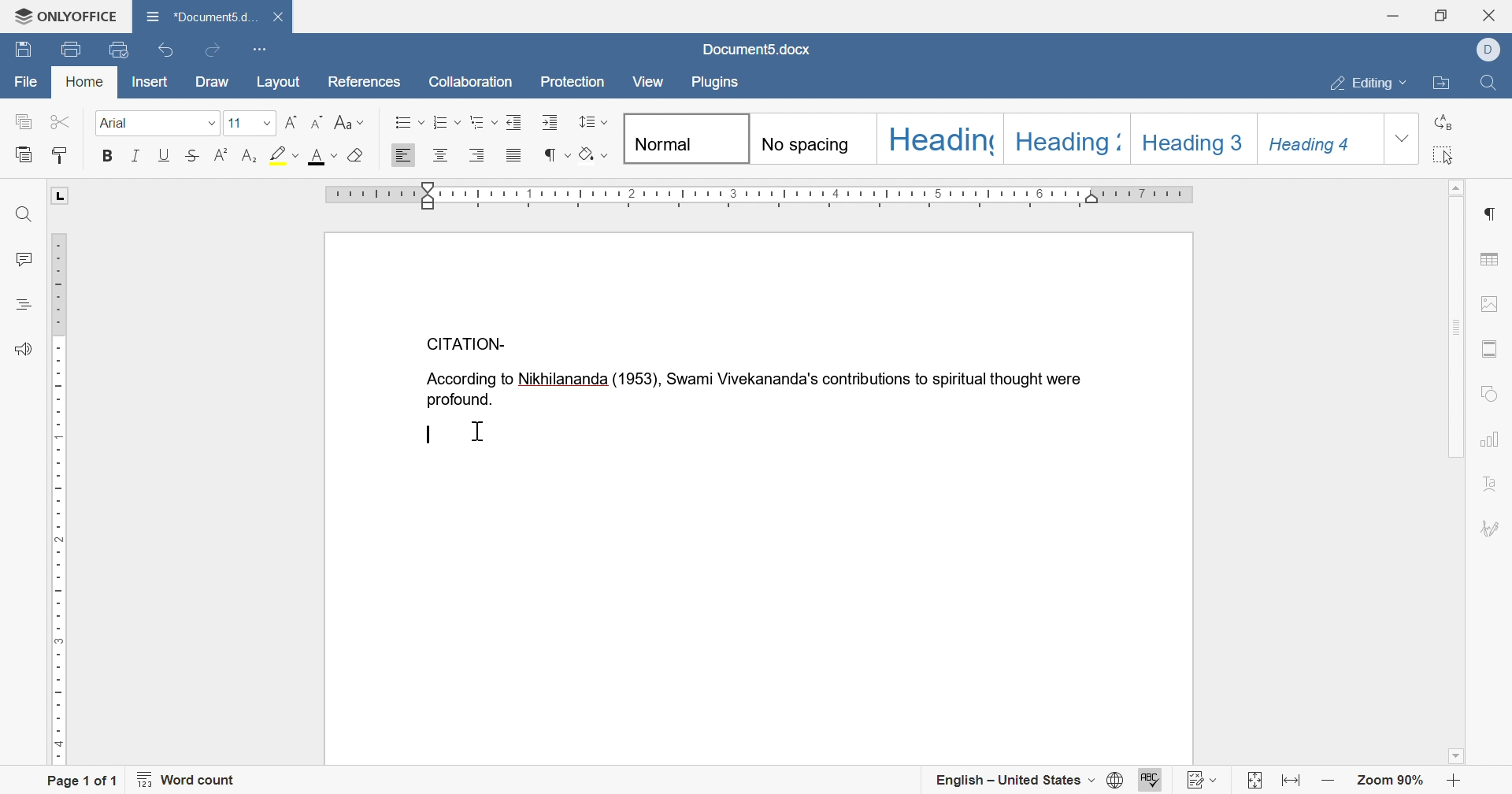  What do you see at coordinates (1489, 211) in the screenshot?
I see `paragraph settings` at bounding box center [1489, 211].